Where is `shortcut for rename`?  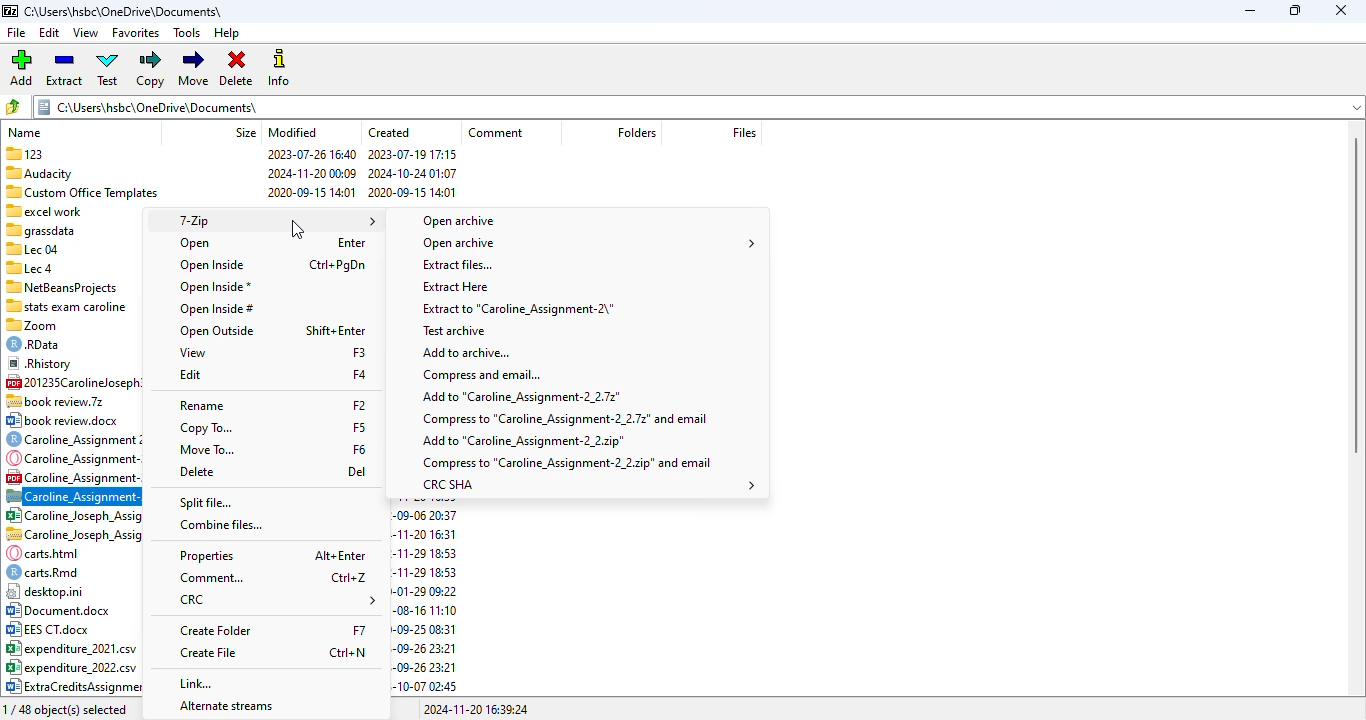
shortcut for rename is located at coordinates (359, 404).